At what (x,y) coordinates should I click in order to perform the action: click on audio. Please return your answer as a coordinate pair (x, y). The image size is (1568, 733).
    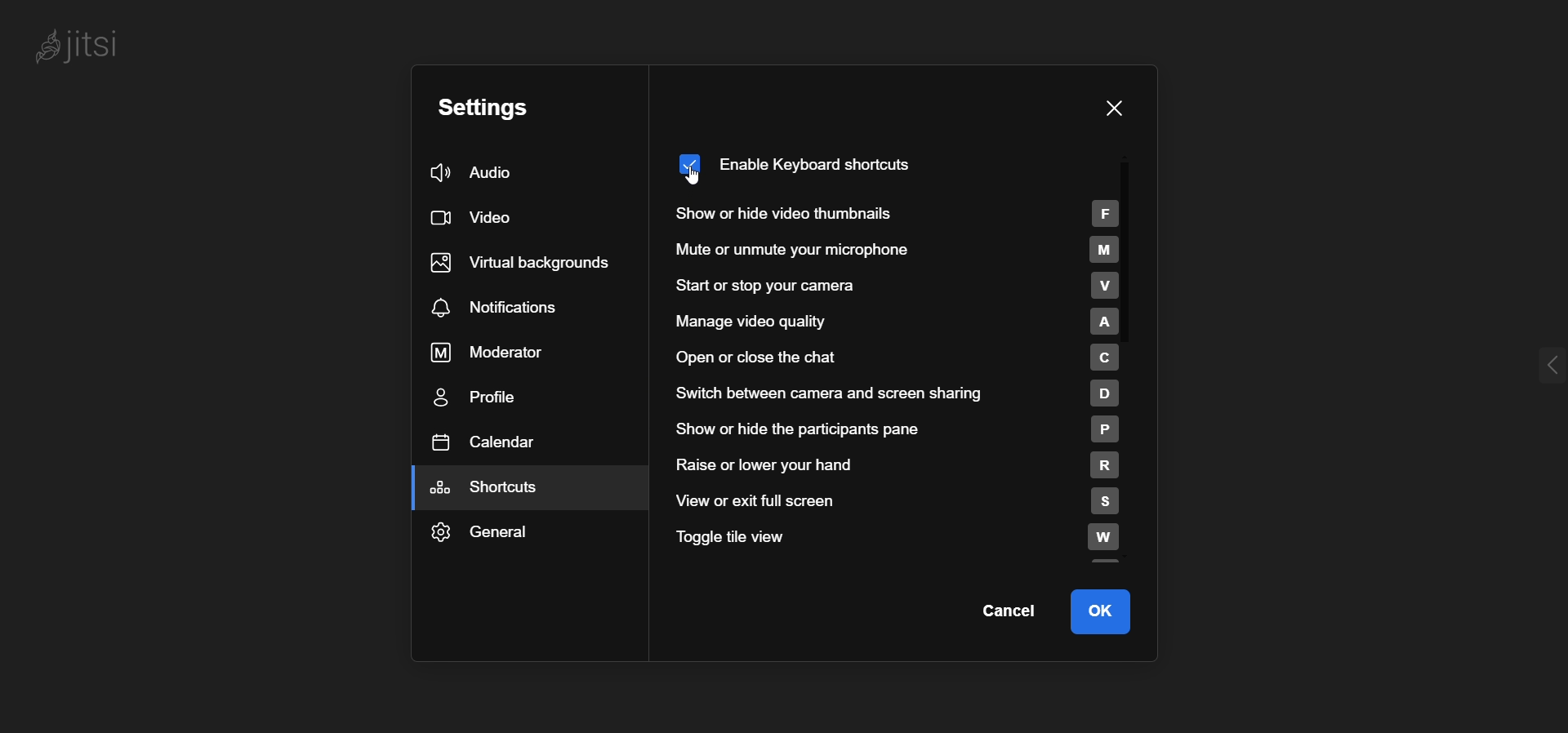
    Looking at the image, I should click on (480, 171).